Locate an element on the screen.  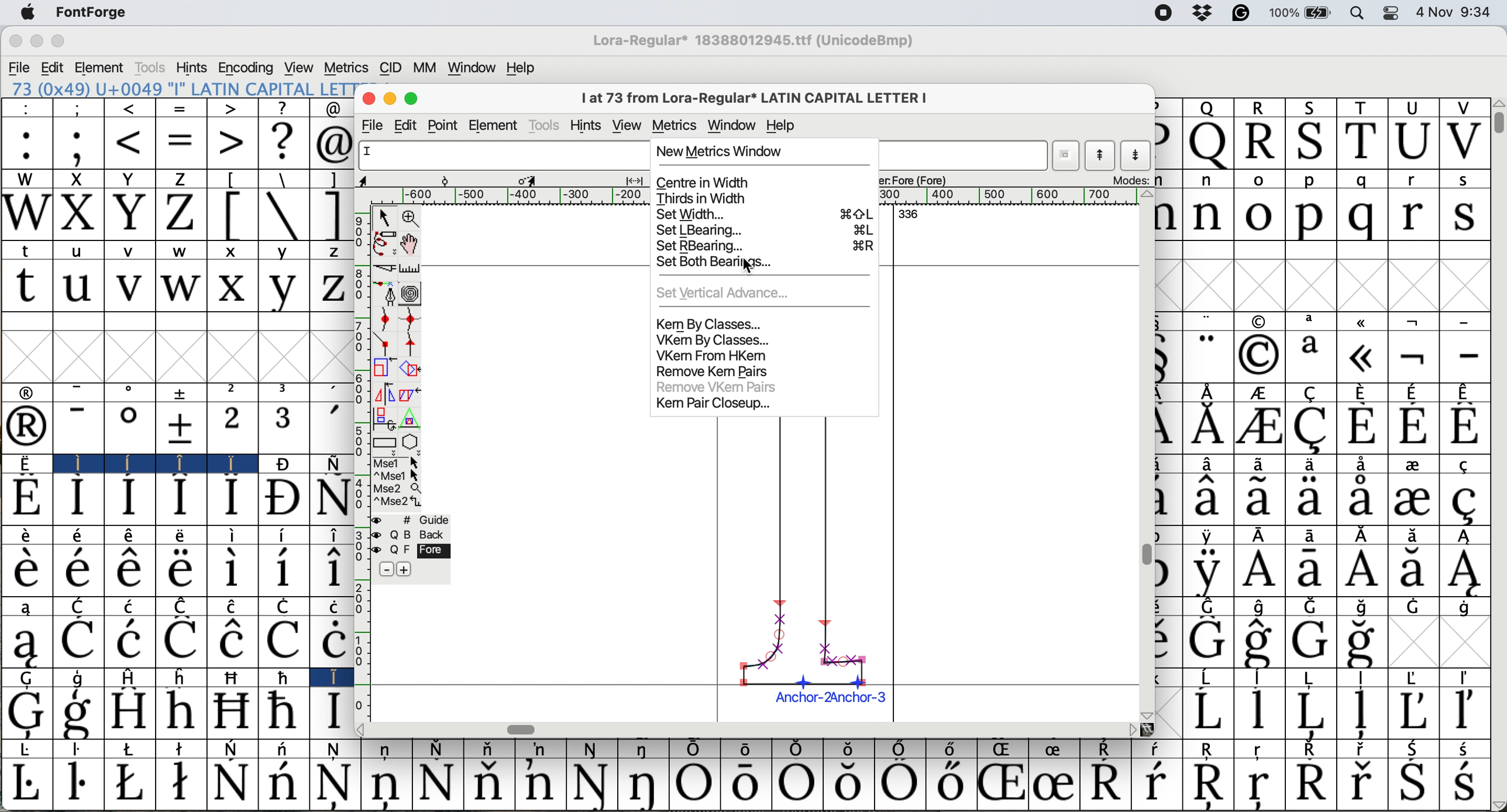
view is located at coordinates (630, 123).